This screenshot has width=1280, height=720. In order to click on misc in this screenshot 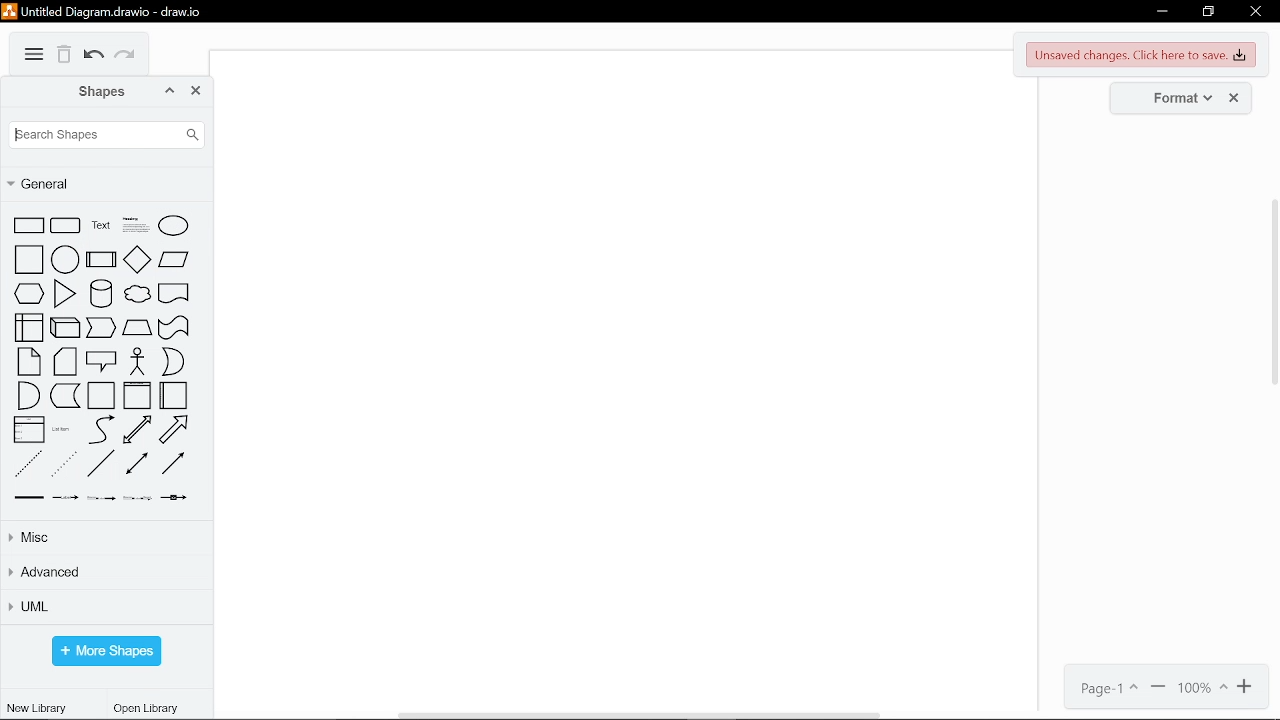, I will do `click(108, 537)`.